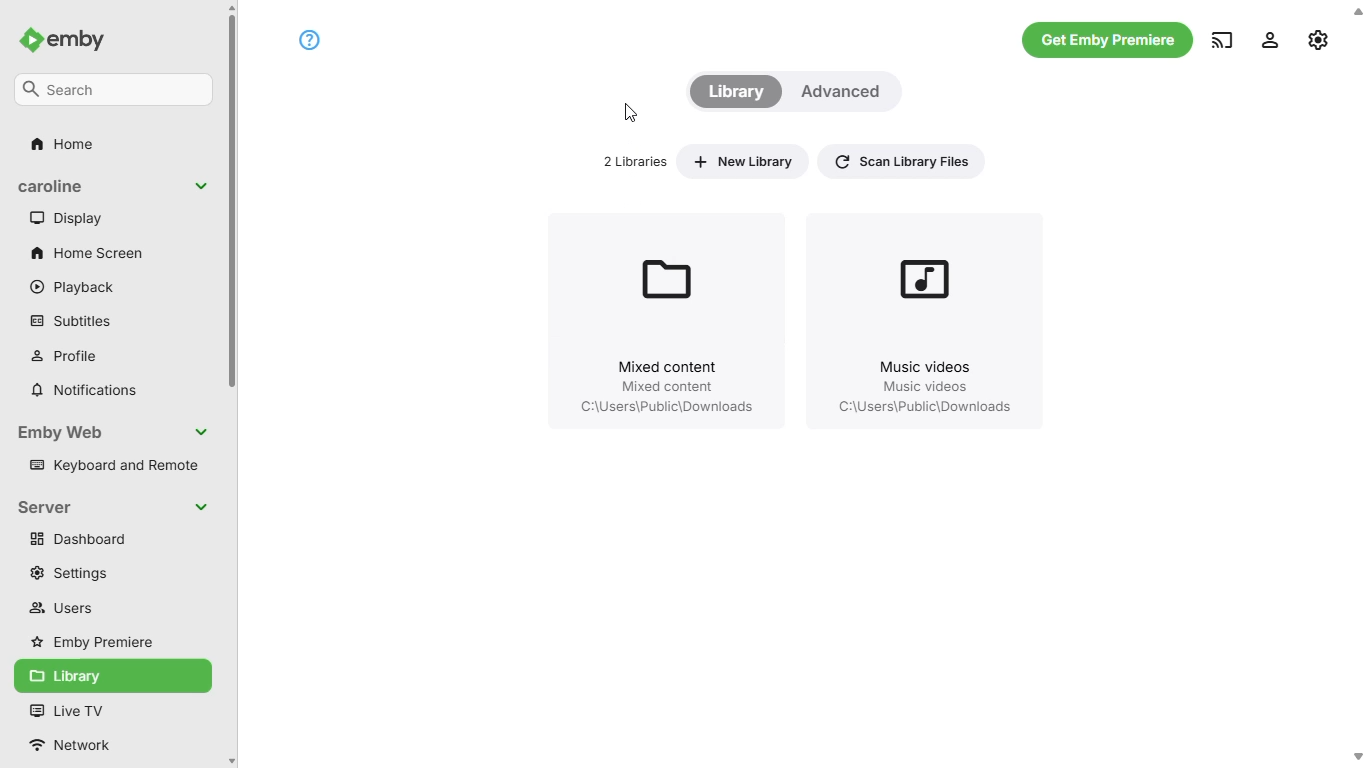  What do you see at coordinates (629, 112) in the screenshot?
I see `cursor` at bounding box center [629, 112].